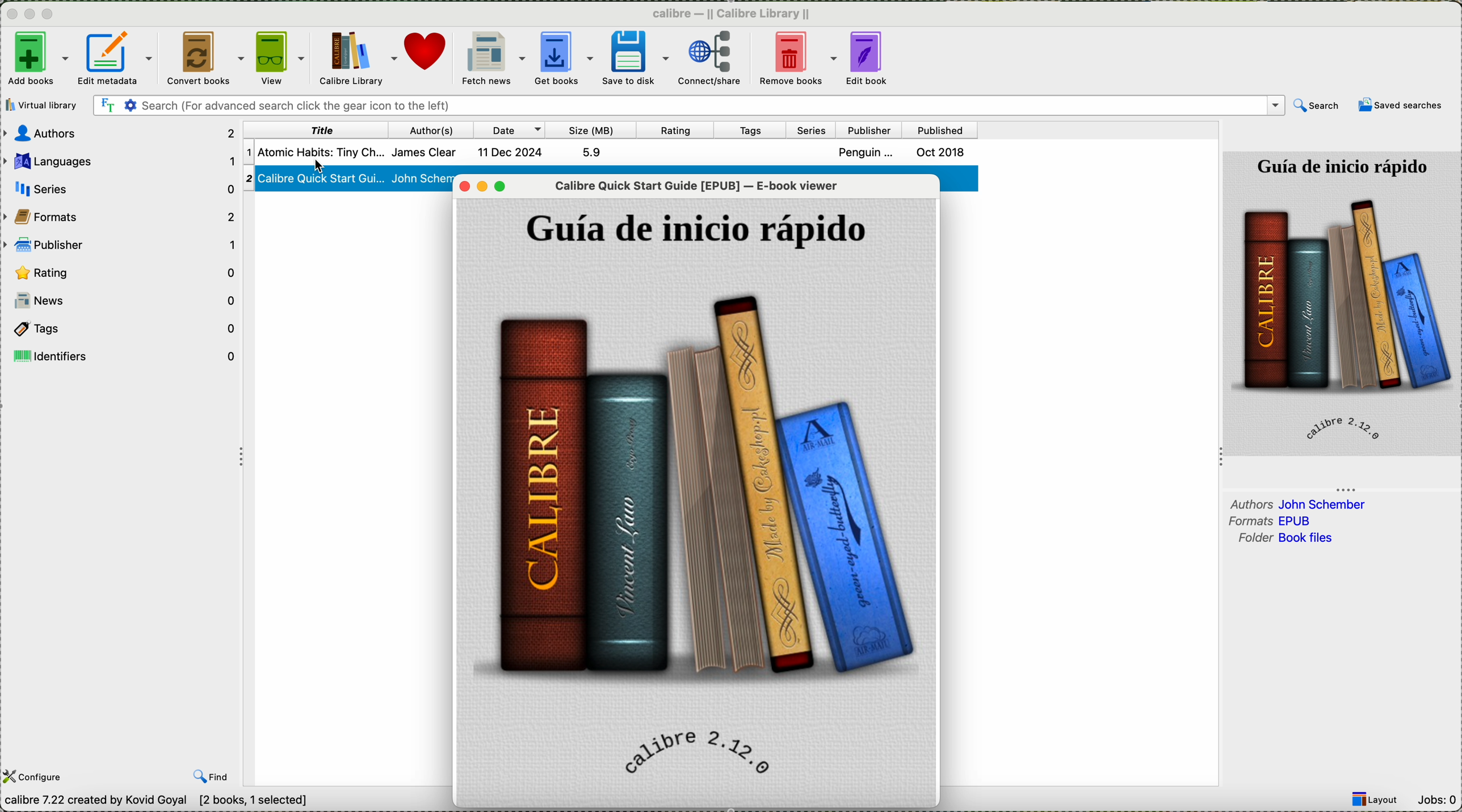 The height and width of the screenshot is (812, 1462). What do you see at coordinates (713, 60) in the screenshot?
I see `connect/share` at bounding box center [713, 60].